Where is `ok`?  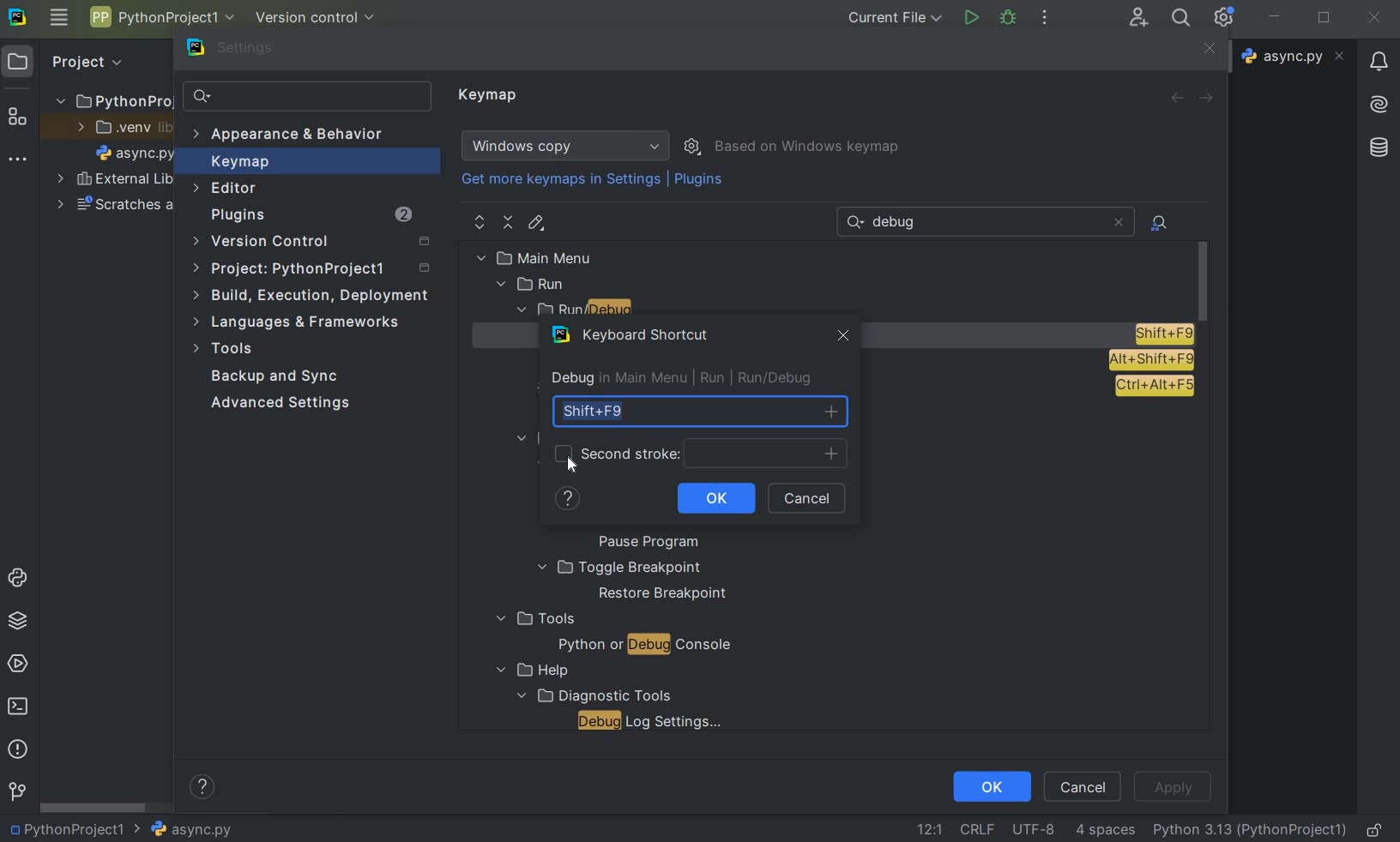 ok is located at coordinates (991, 785).